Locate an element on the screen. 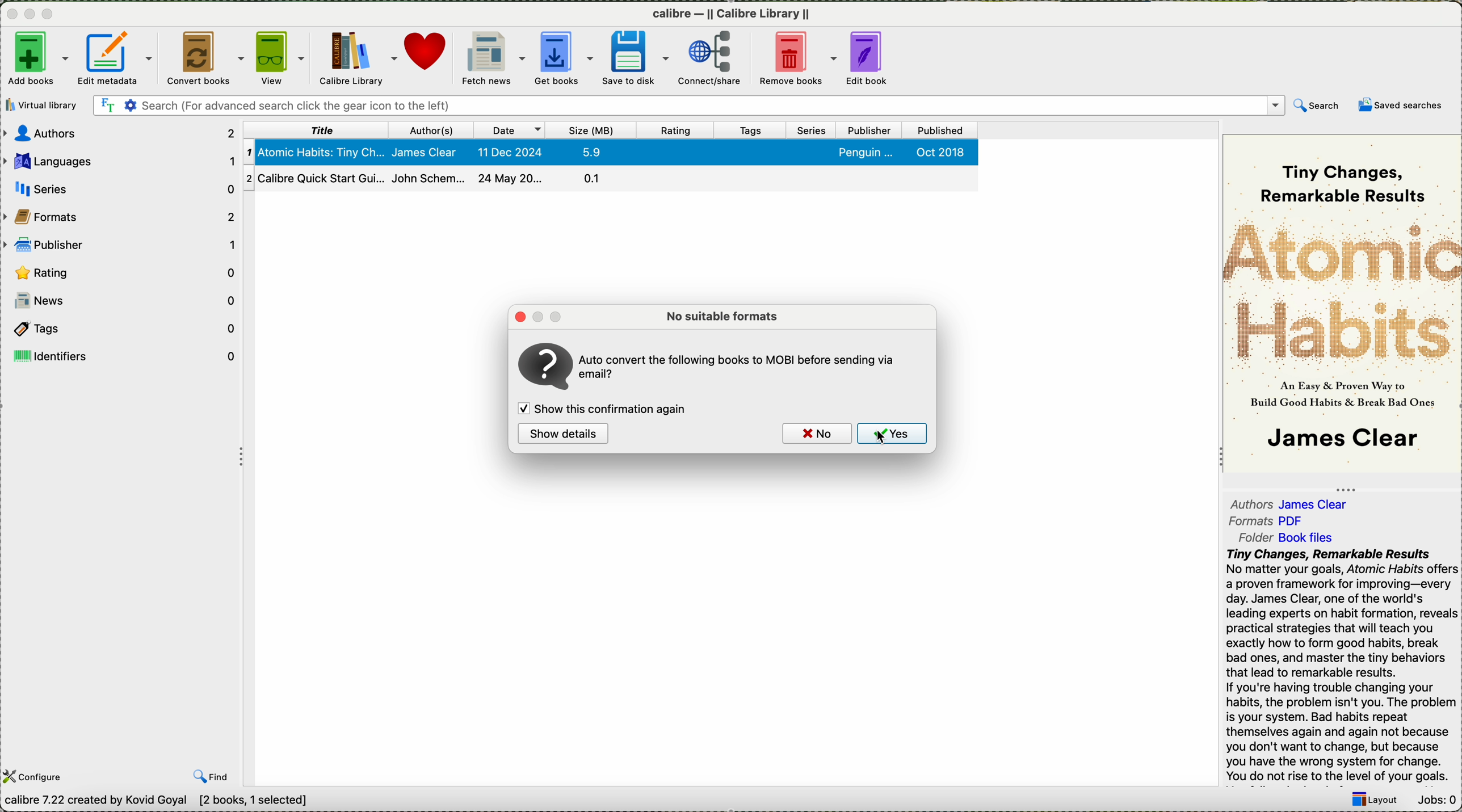  icon is located at coordinates (544, 367).